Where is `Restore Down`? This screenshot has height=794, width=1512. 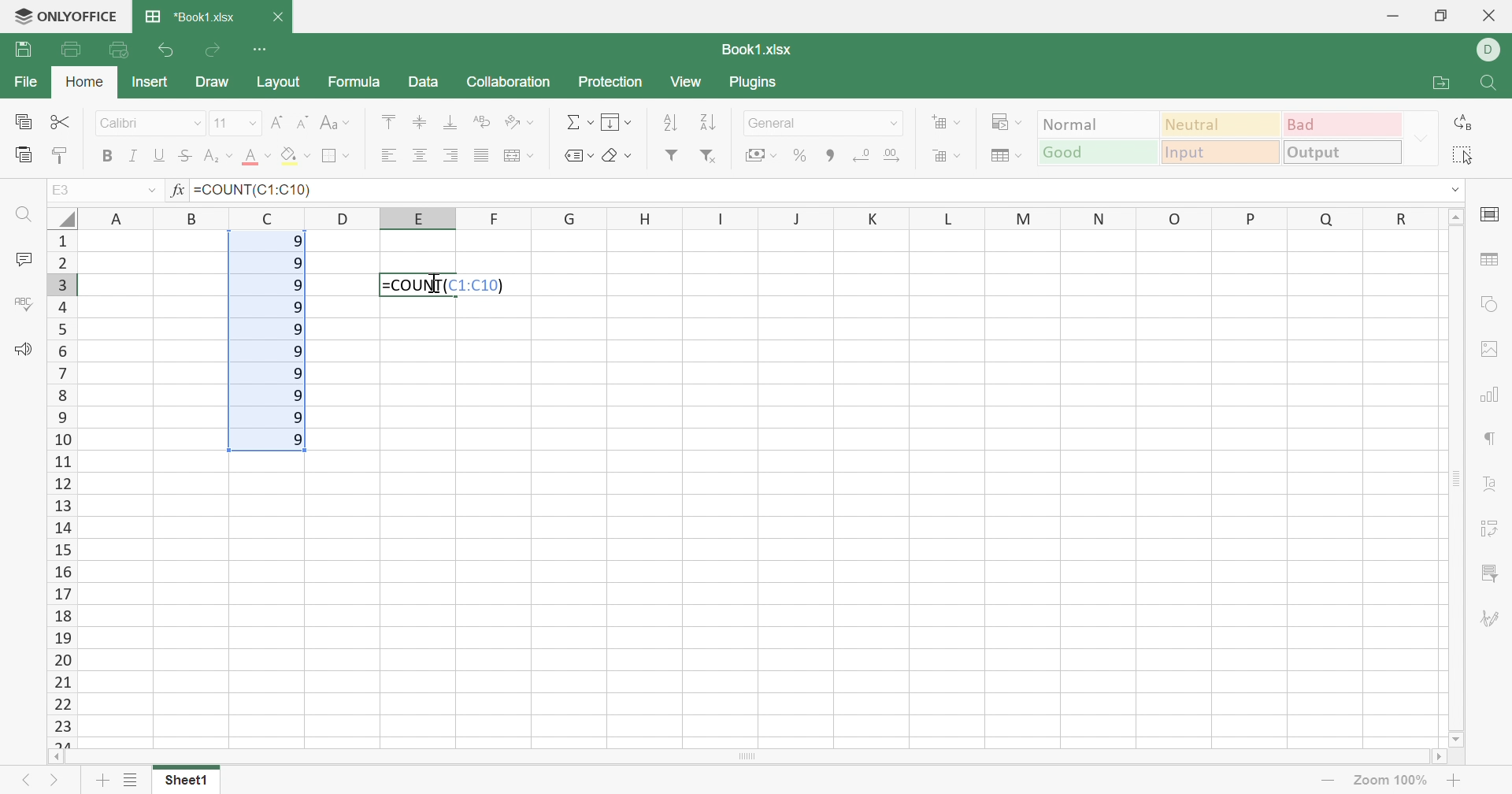 Restore Down is located at coordinates (1440, 13).